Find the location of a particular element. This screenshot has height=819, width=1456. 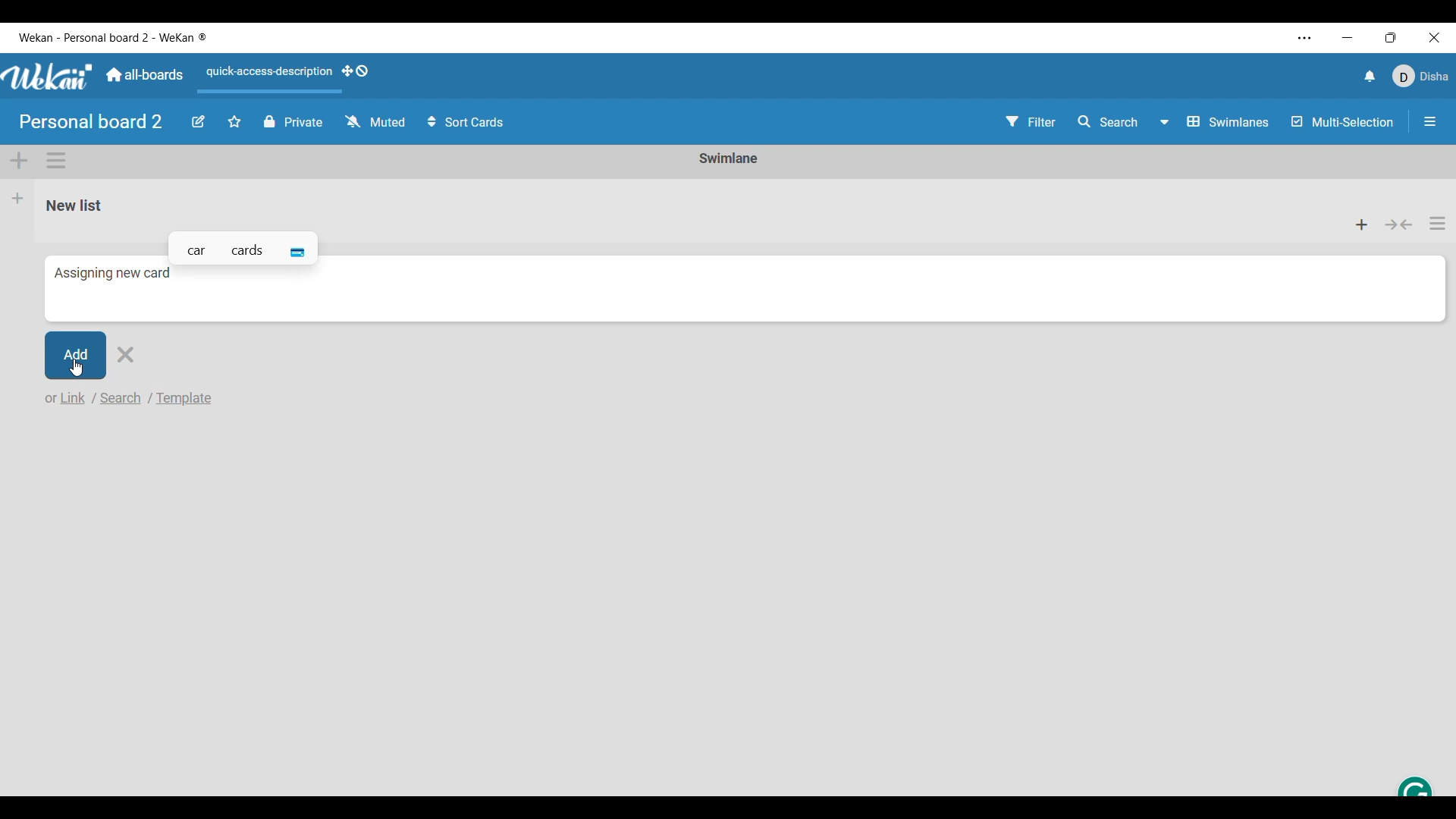

Filter is located at coordinates (1031, 121).